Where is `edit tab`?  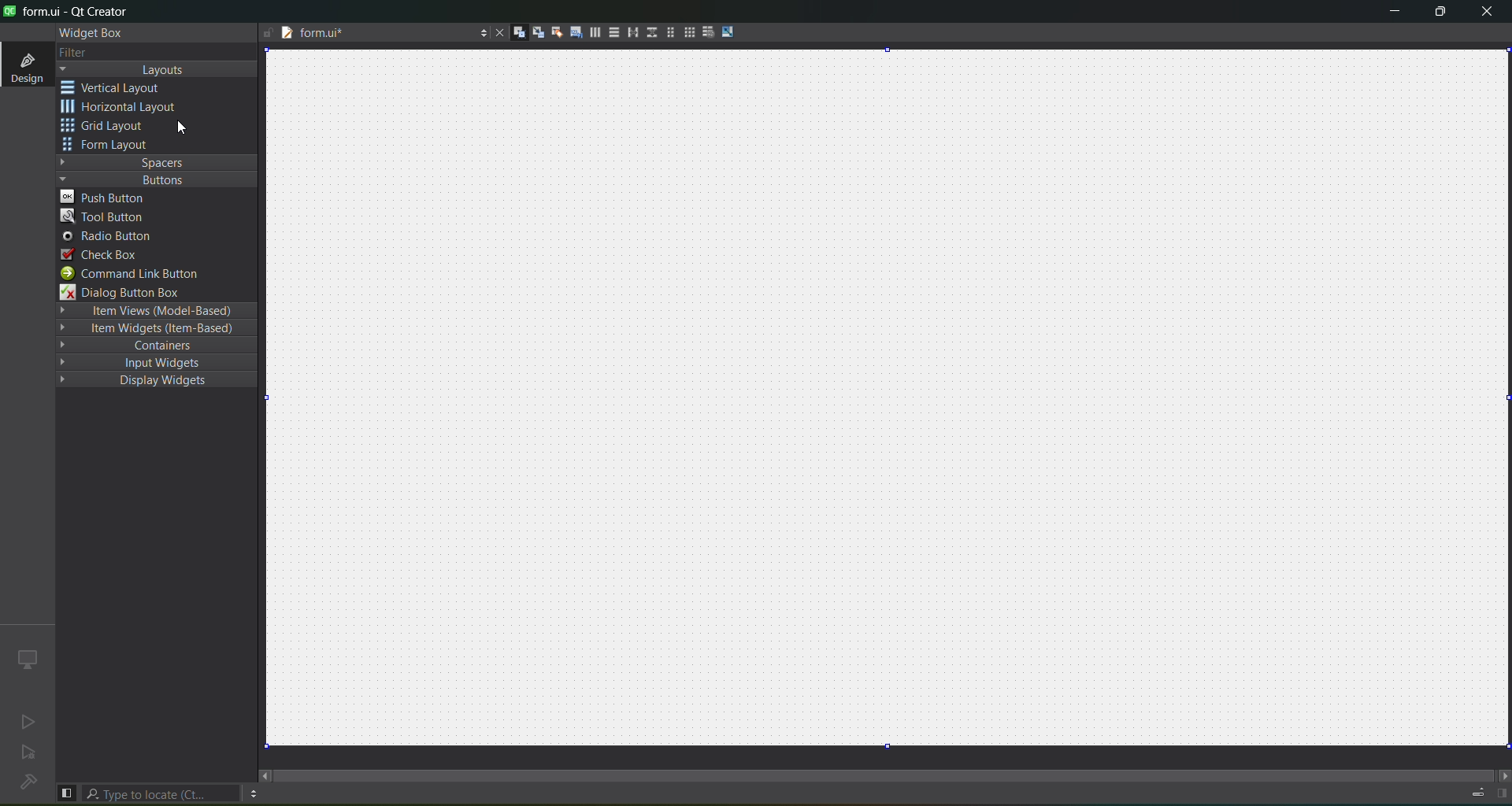 edit tab is located at coordinates (576, 35).